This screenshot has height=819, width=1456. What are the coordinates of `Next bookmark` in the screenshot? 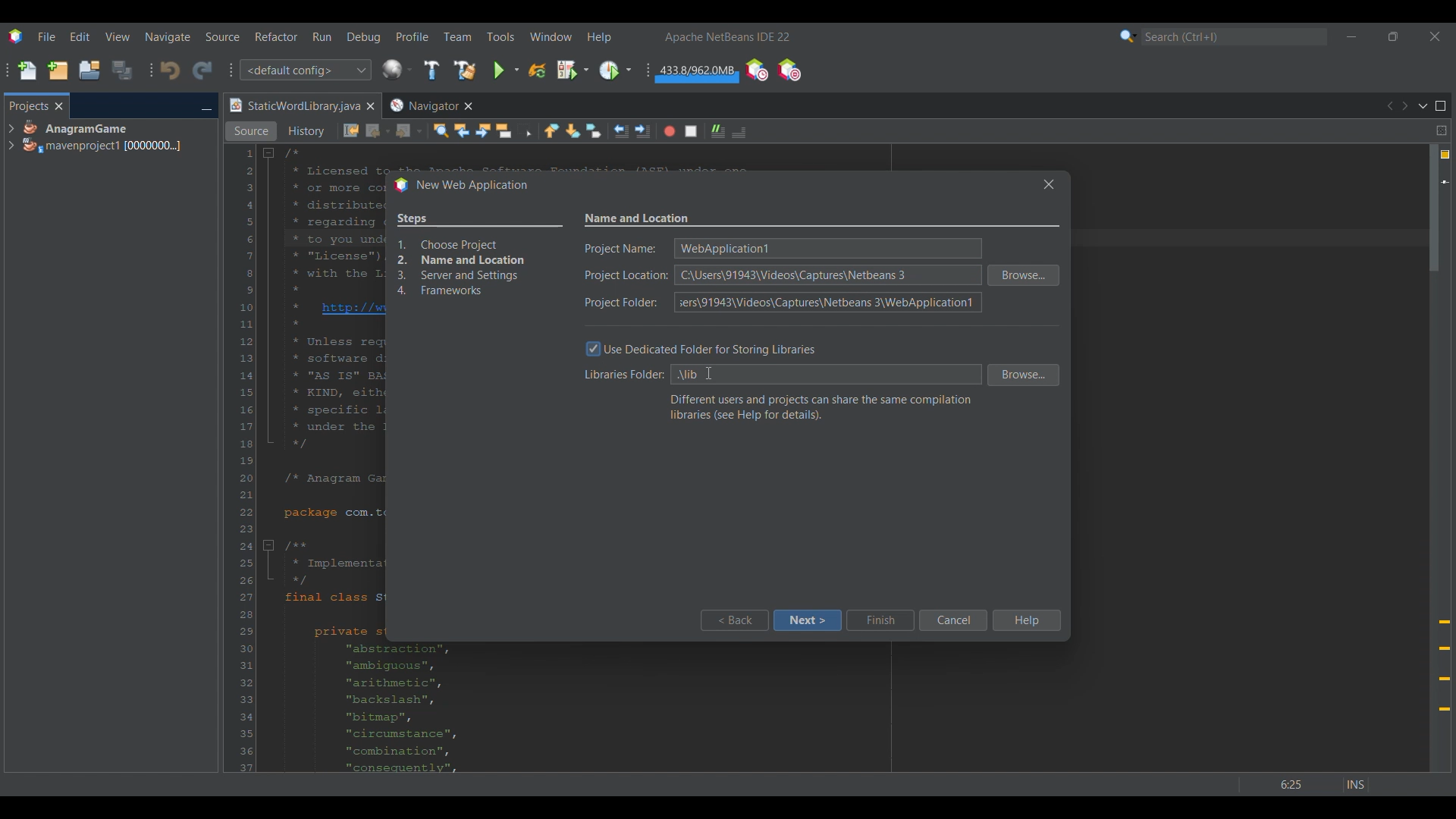 It's located at (573, 131).